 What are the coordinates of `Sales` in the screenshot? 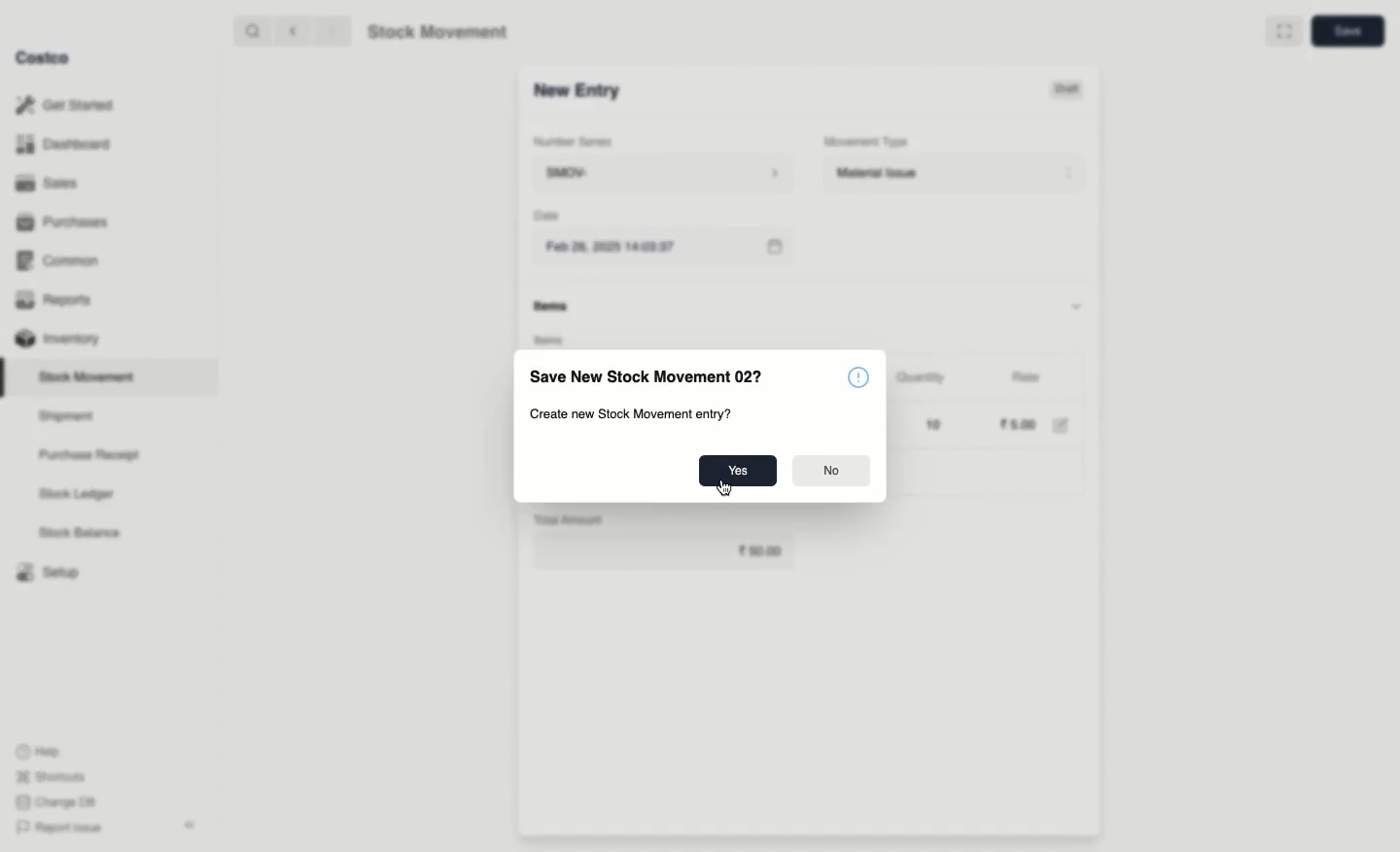 It's located at (50, 182).